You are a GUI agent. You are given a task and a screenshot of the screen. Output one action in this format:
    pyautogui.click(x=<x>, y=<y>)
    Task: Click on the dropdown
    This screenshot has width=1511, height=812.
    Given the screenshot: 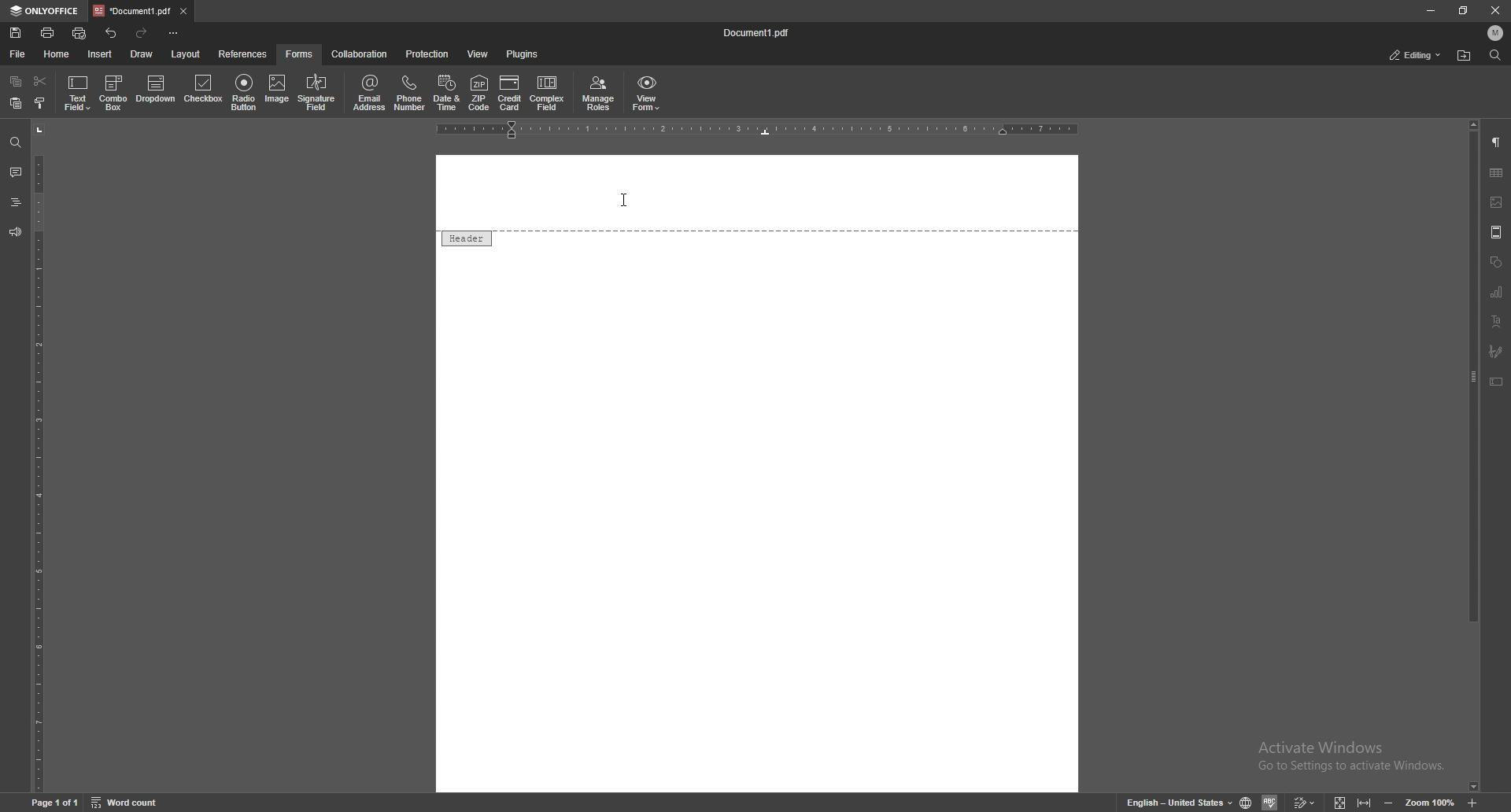 What is the action you would take?
    pyautogui.click(x=156, y=91)
    